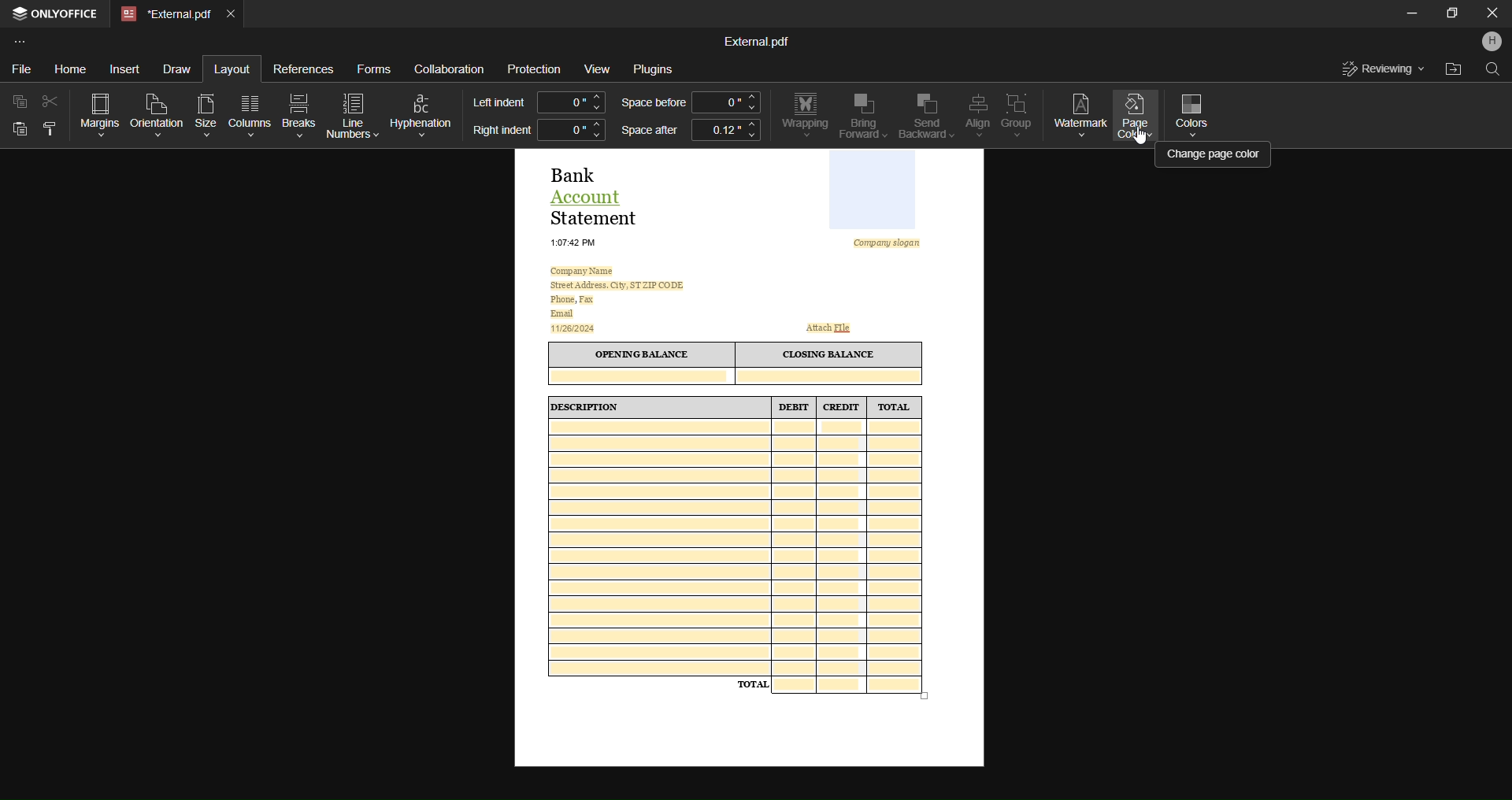  What do you see at coordinates (1197, 113) in the screenshot?
I see `Colors` at bounding box center [1197, 113].